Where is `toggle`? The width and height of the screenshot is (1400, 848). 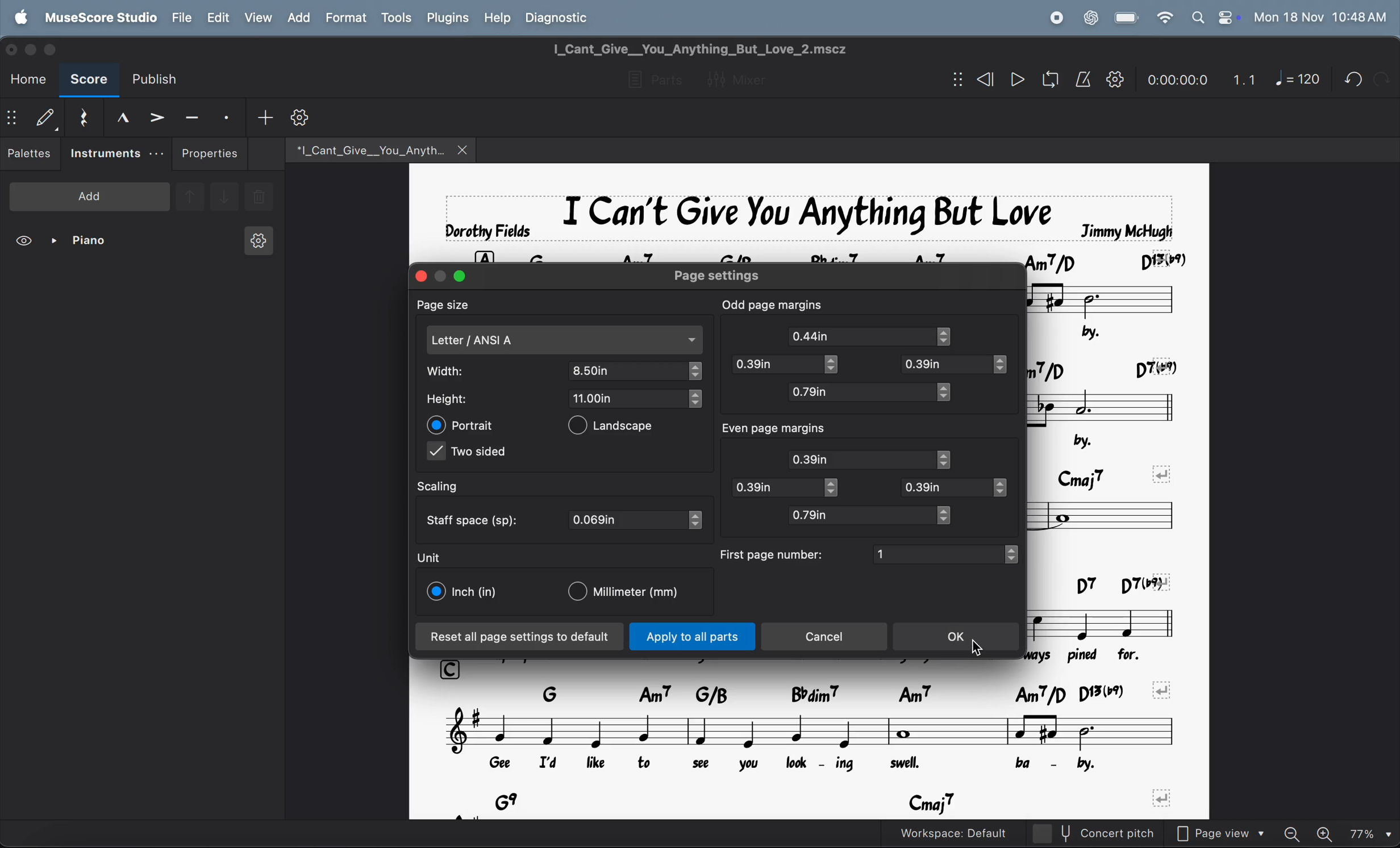
toggle is located at coordinates (1002, 489).